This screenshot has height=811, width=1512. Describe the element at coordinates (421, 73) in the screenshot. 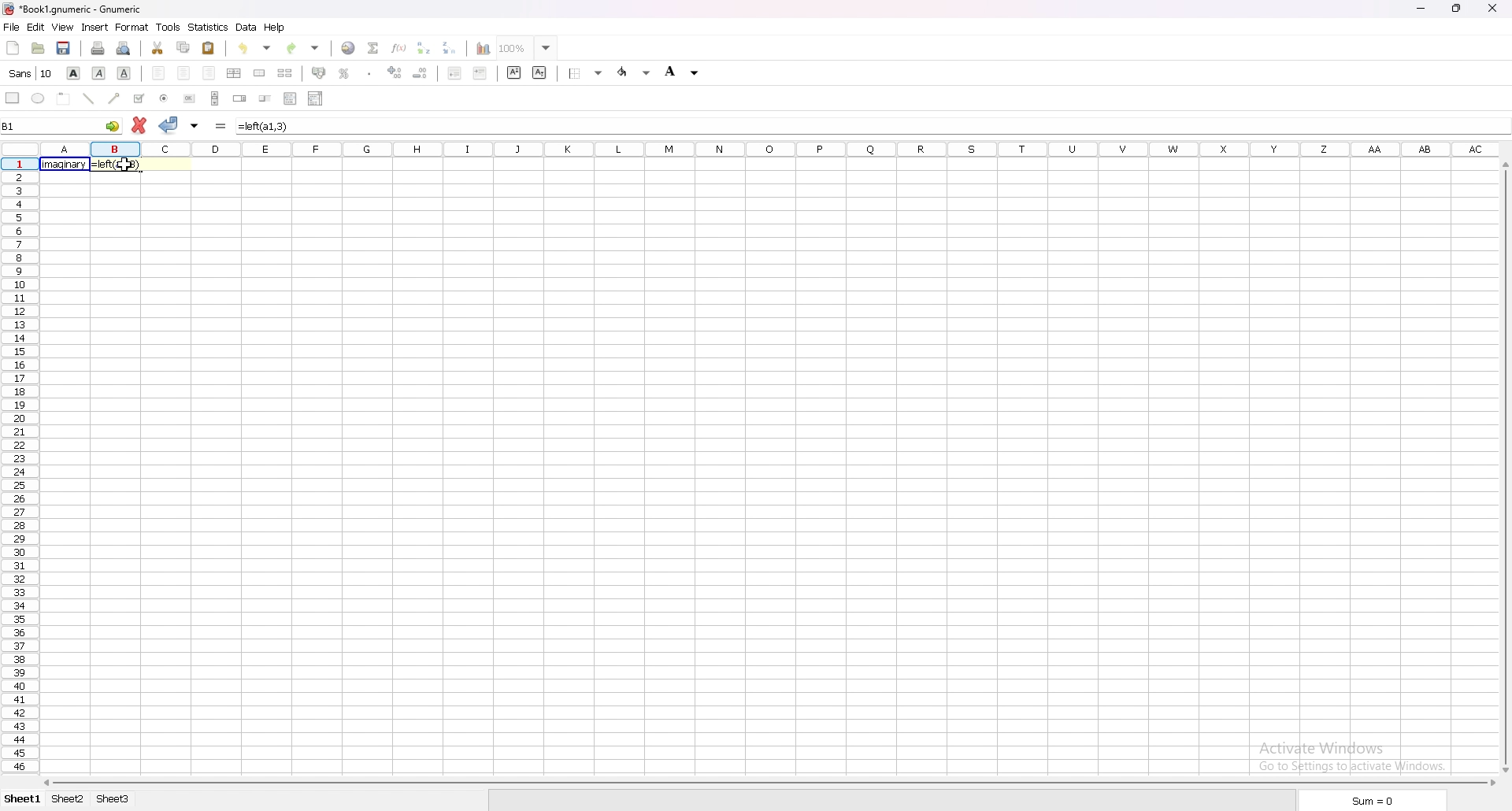

I see `decrease decimals` at that location.